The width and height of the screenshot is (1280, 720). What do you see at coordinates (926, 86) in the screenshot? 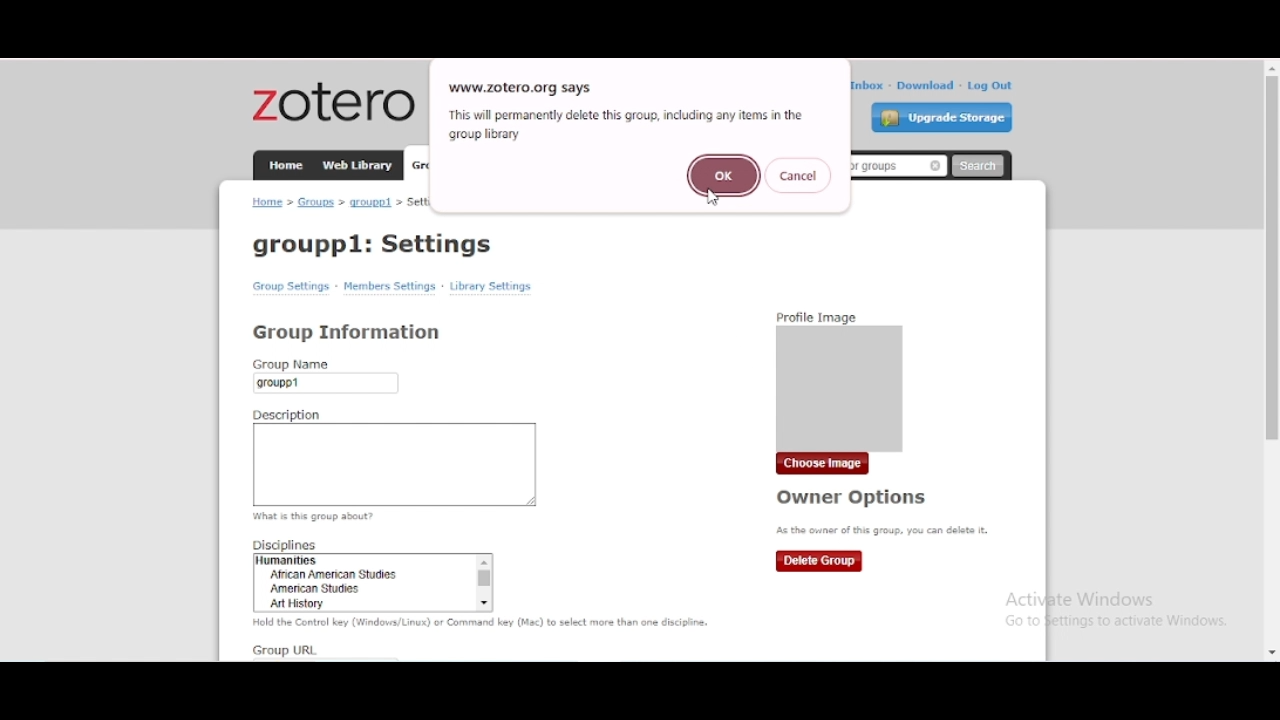
I see `download` at bounding box center [926, 86].